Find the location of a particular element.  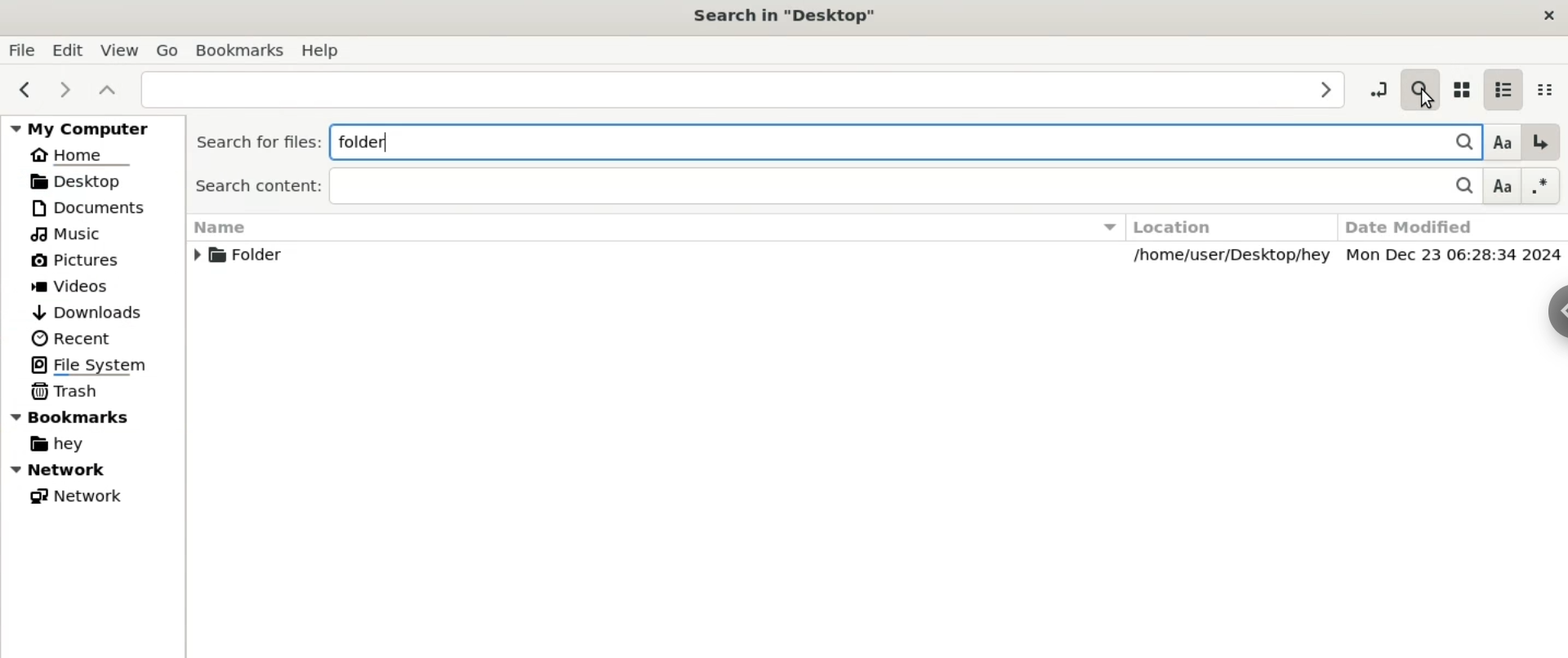

Network is located at coordinates (73, 494).